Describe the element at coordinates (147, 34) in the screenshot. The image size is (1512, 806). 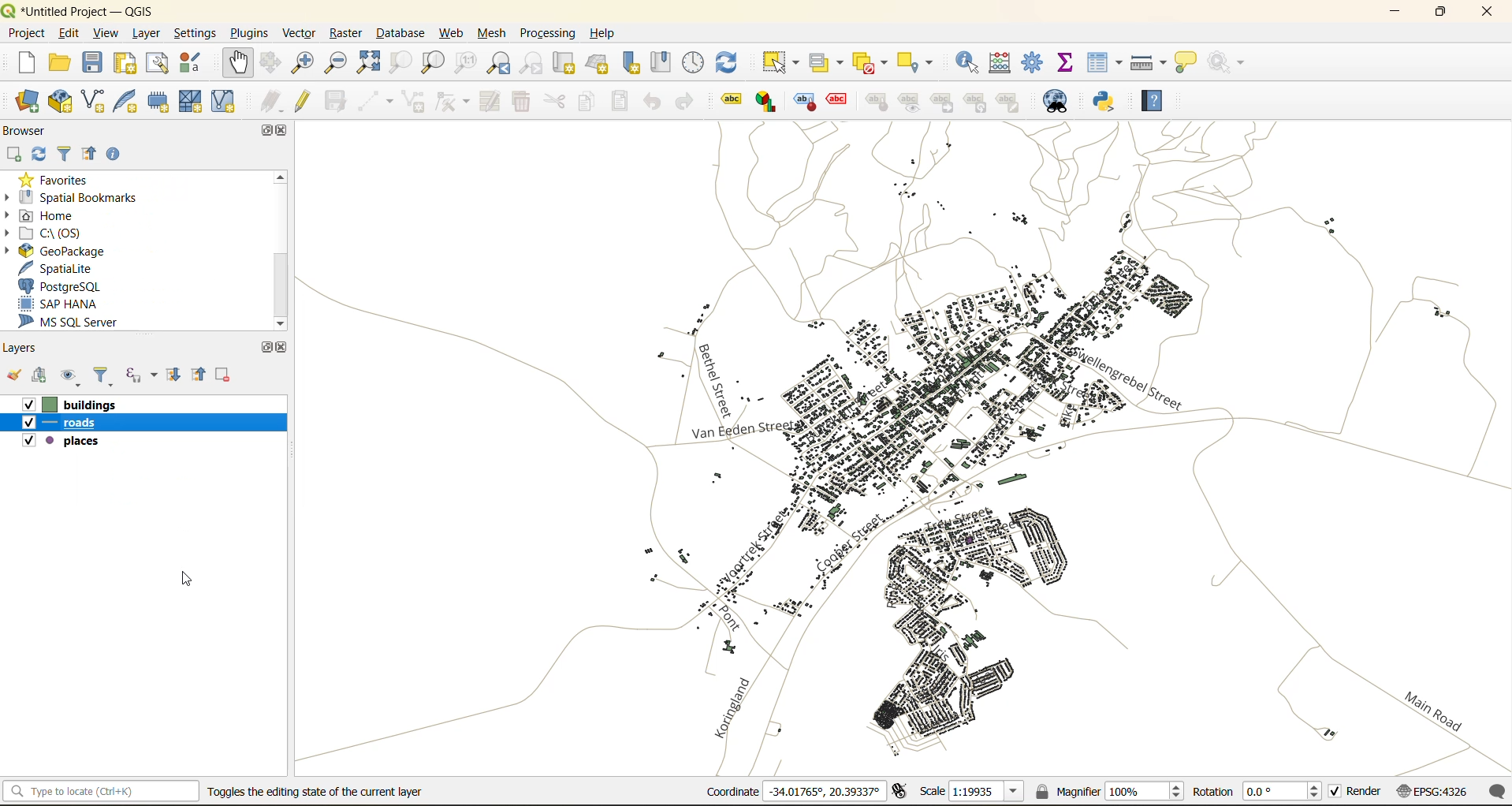
I see `layer` at that location.